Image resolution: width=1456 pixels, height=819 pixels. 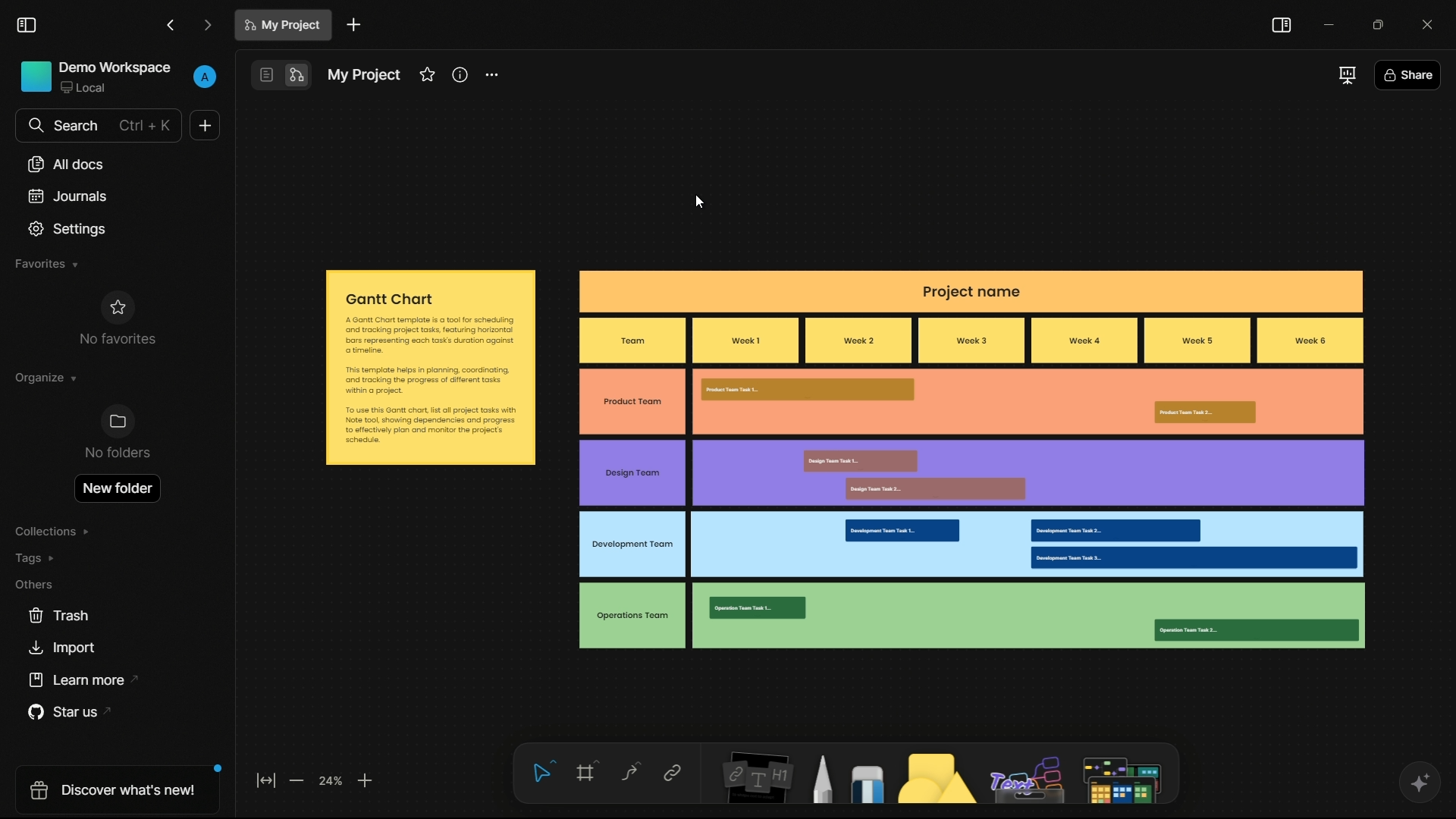 What do you see at coordinates (353, 24) in the screenshot?
I see `add document` at bounding box center [353, 24].